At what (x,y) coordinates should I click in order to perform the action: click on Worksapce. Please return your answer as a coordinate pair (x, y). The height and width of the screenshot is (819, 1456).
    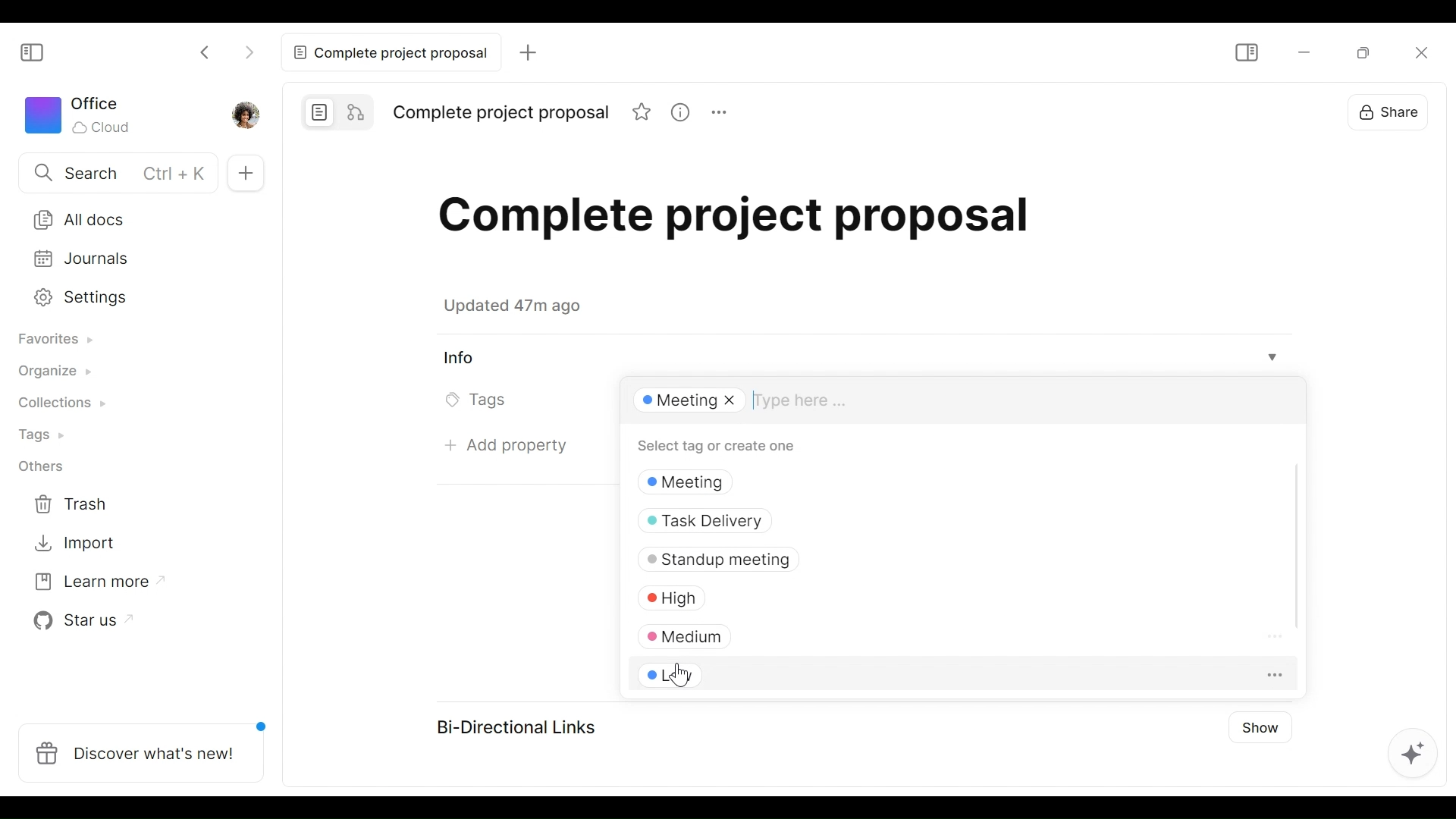
    Looking at the image, I should click on (85, 117).